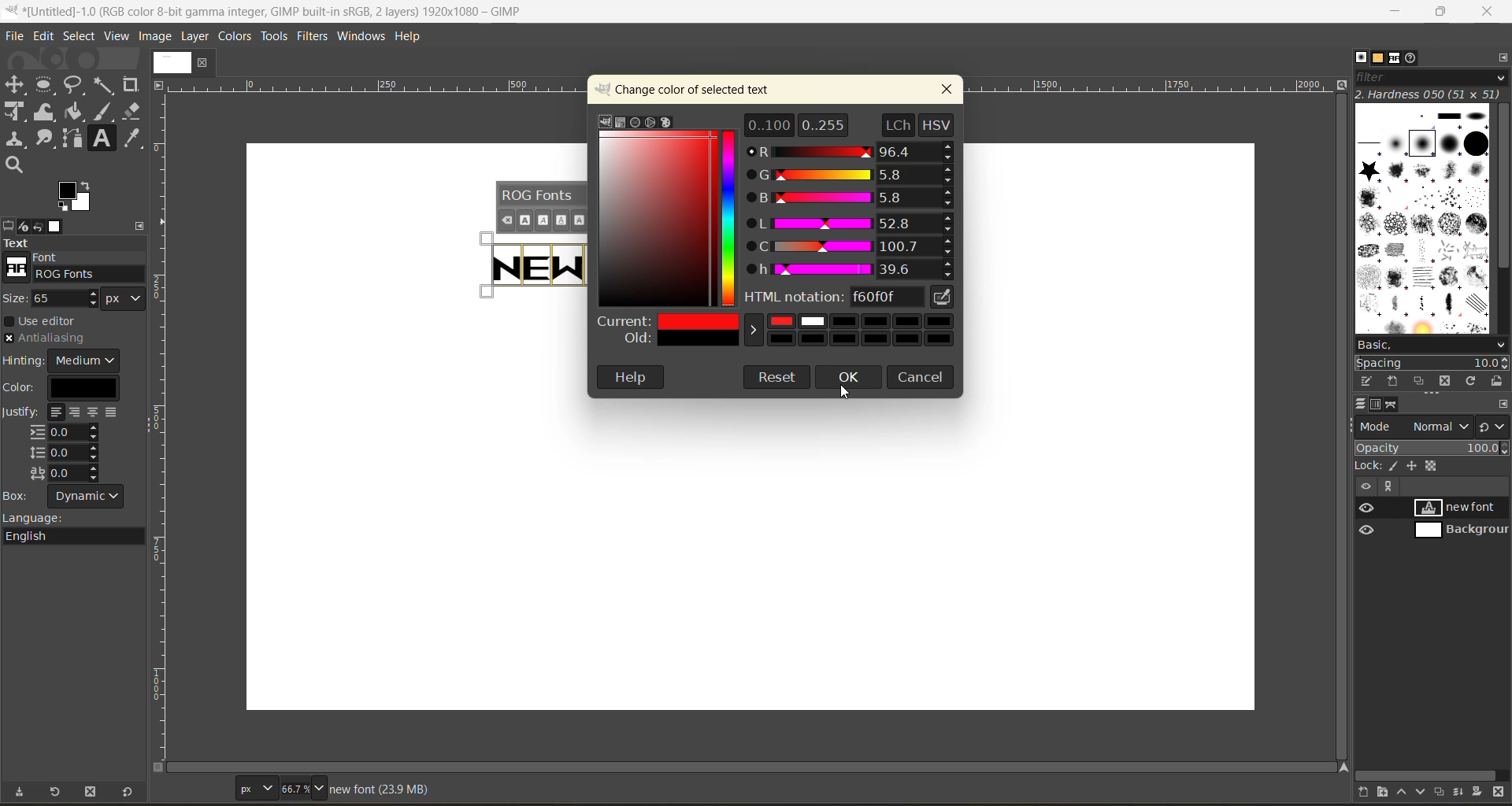  What do you see at coordinates (198, 786) in the screenshot?
I see `coordinates` at bounding box center [198, 786].